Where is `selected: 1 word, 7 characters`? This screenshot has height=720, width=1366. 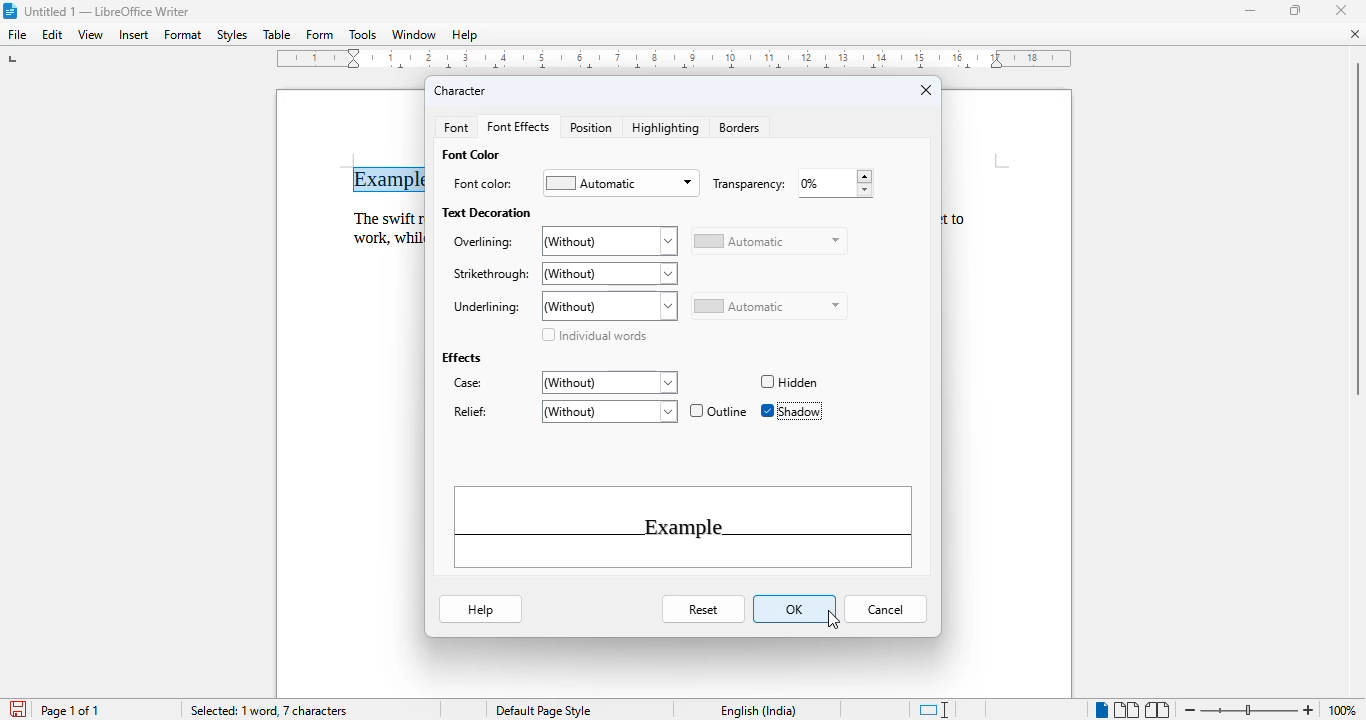 selected: 1 word, 7 characters is located at coordinates (271, 711).